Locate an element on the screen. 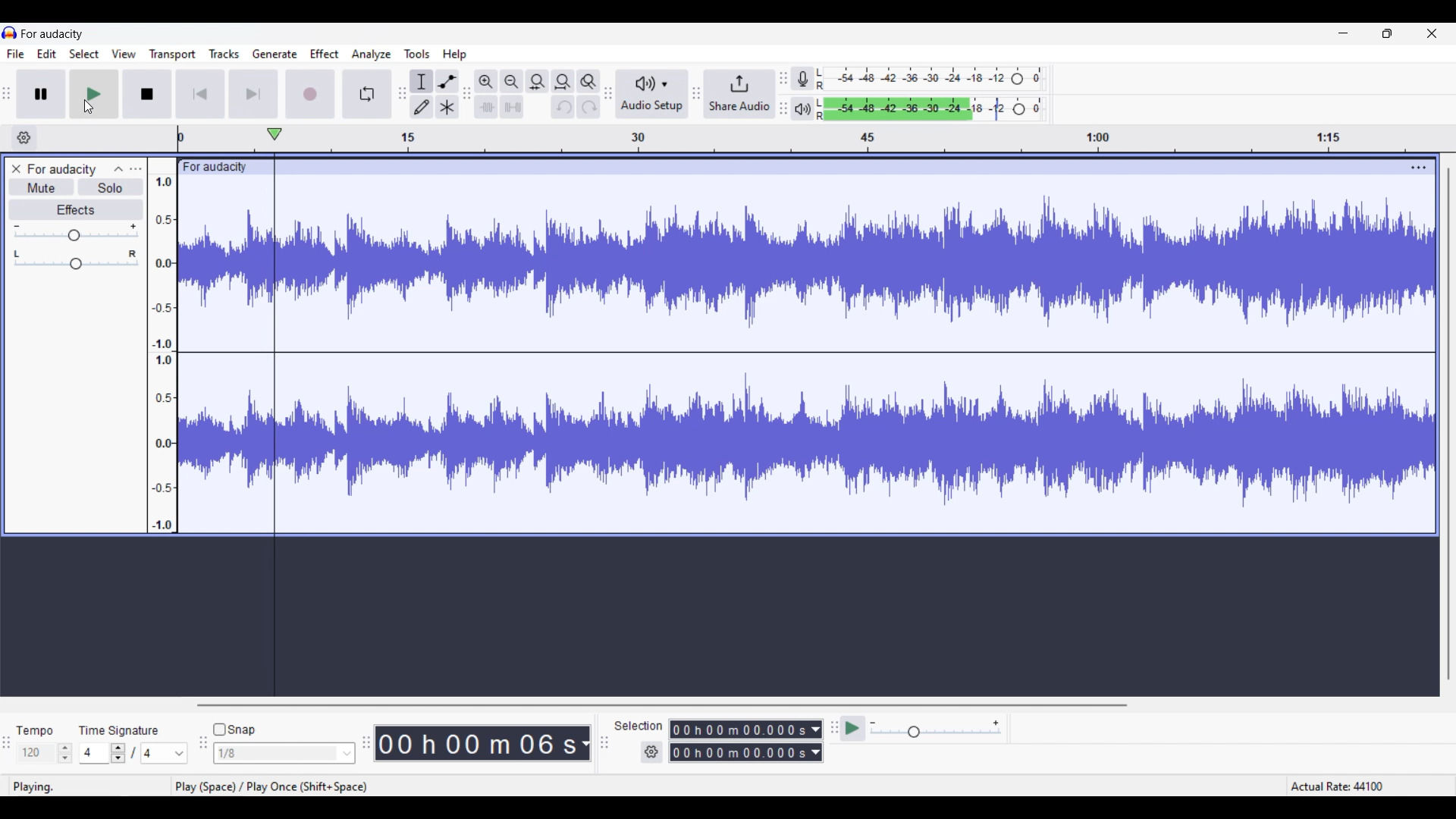 The width and height of the screenshot is (1456, 819). Vertical slide bar is located at coordinates (1449, 425).